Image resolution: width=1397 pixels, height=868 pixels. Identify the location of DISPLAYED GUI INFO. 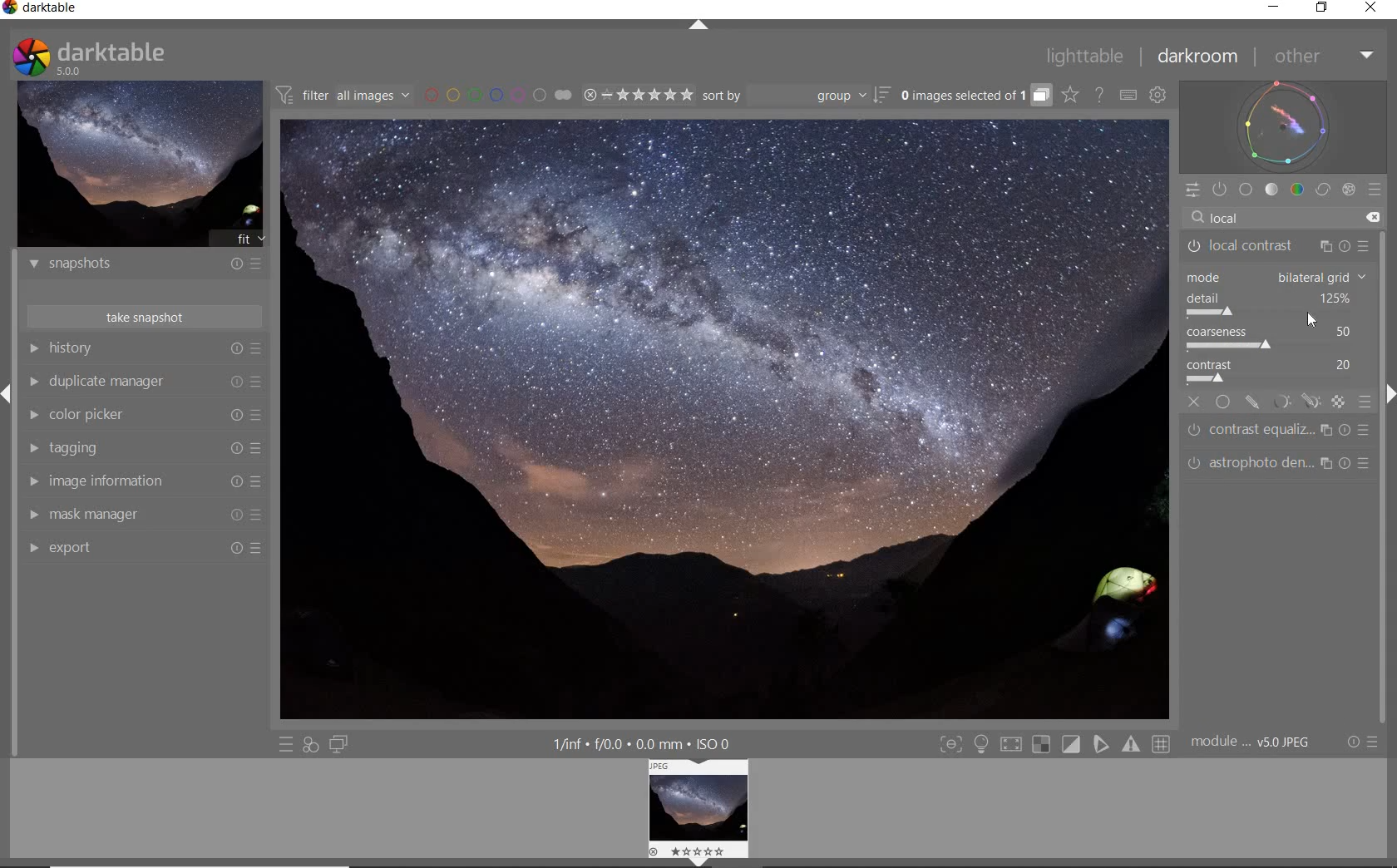
(641, 743).